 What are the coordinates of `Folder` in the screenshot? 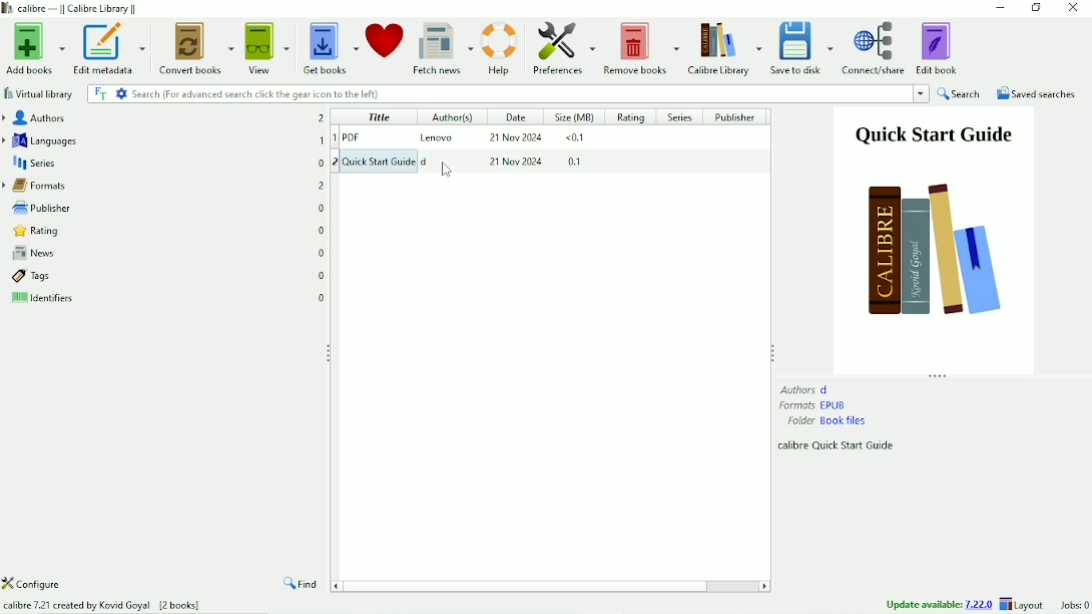 It's located at (827, 421).